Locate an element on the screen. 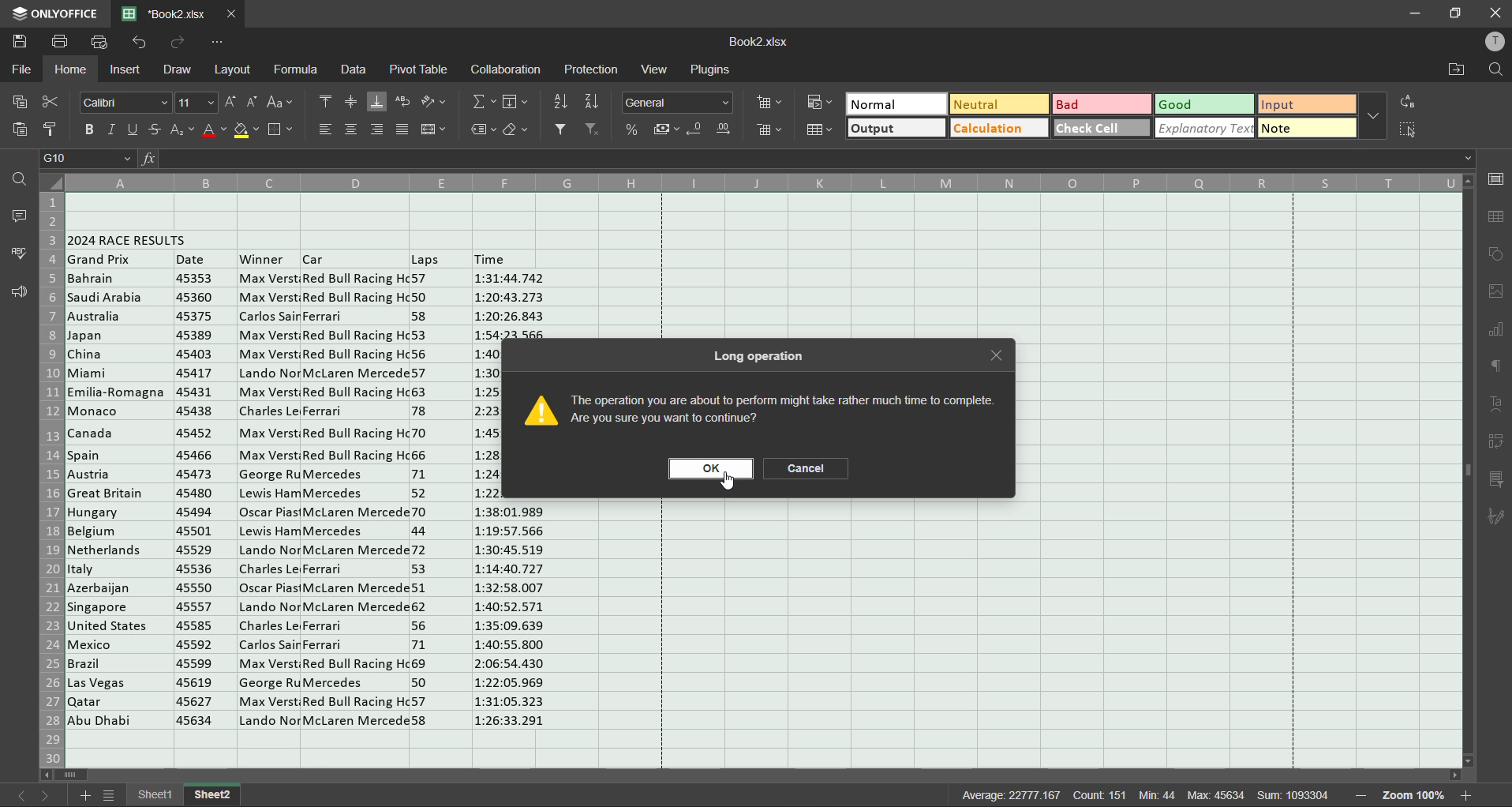 The image size is (1512, 807). font color is located at coordinates (214, 133).